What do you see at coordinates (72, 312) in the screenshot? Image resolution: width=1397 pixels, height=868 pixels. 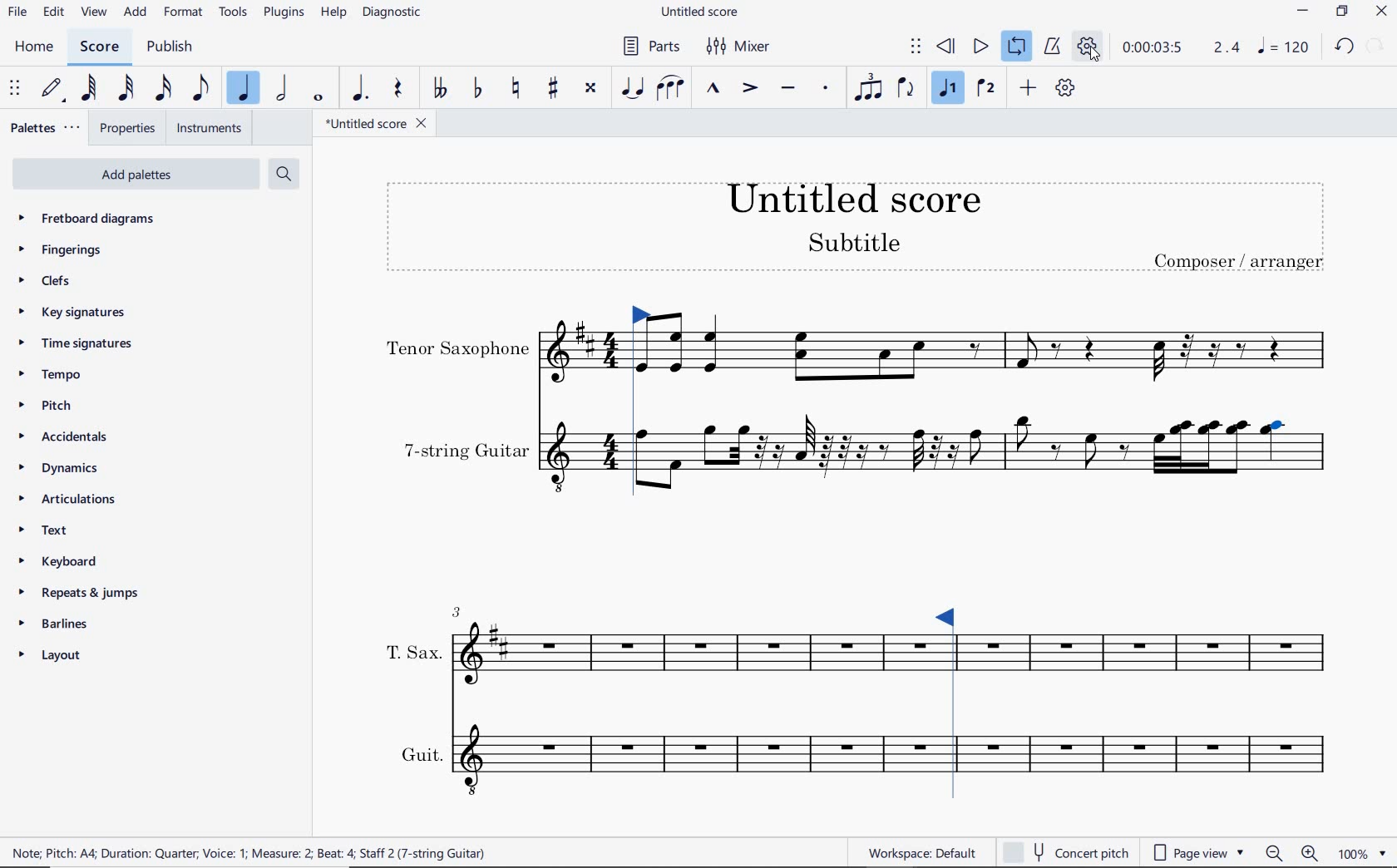 I see `KEY SIGNATURES` at bounding box center [72, 312].